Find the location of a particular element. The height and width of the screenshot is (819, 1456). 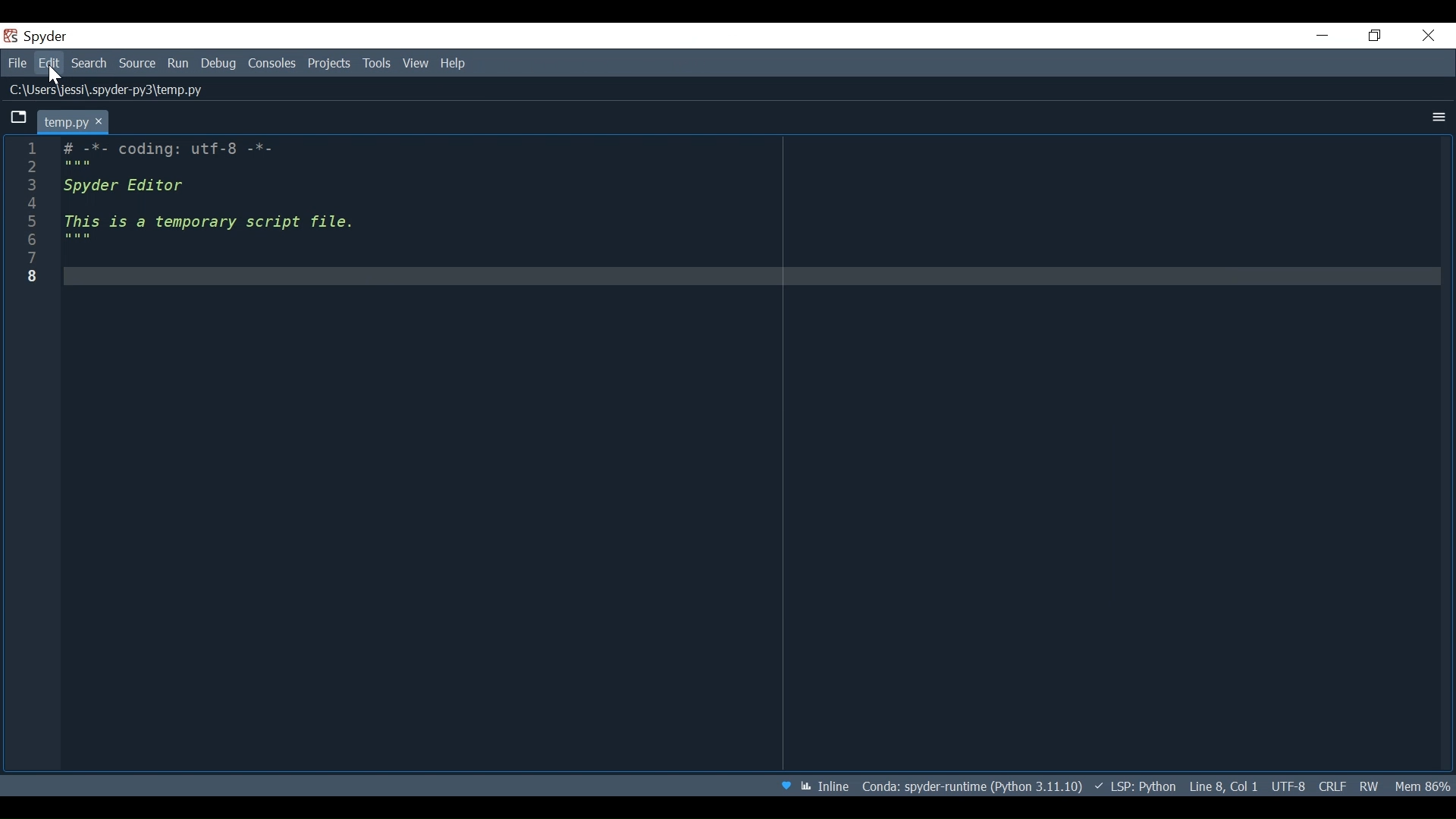

Language is located at coordinates (1135, 785).